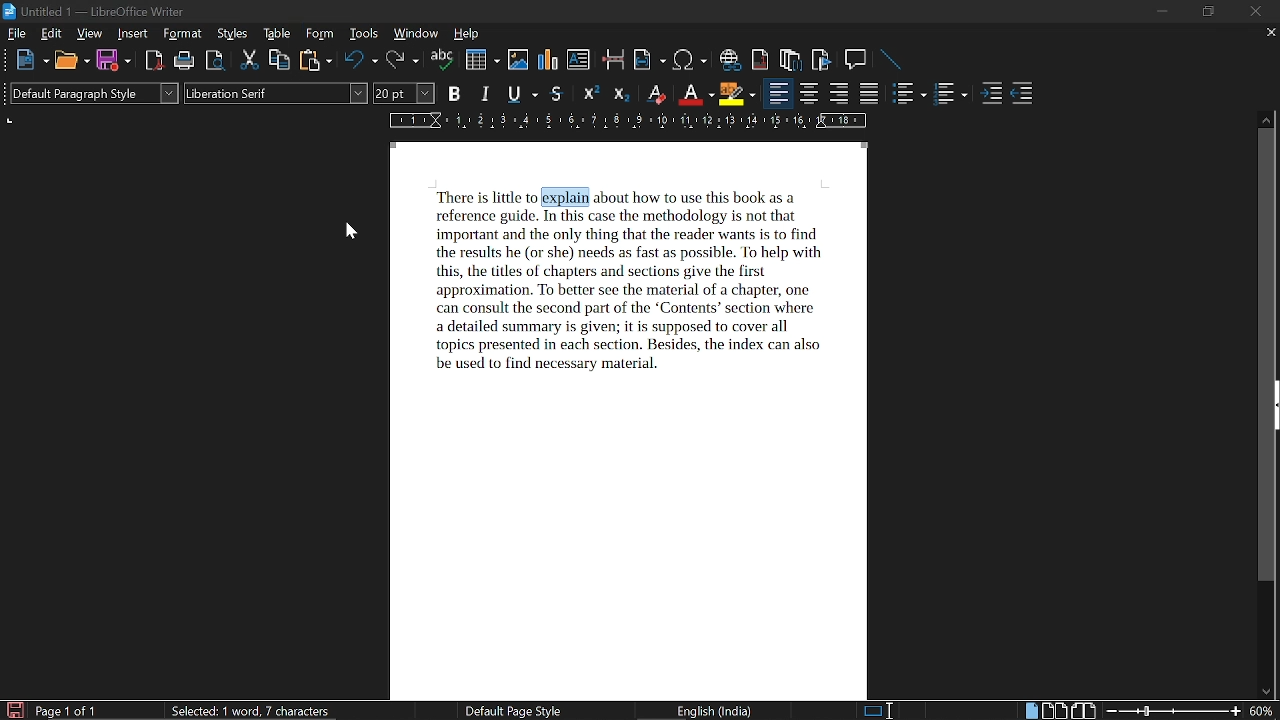  What do you see at coordinates (519, 59) in the screenshot?
I see `insert image` at bounding box center [519, 59].